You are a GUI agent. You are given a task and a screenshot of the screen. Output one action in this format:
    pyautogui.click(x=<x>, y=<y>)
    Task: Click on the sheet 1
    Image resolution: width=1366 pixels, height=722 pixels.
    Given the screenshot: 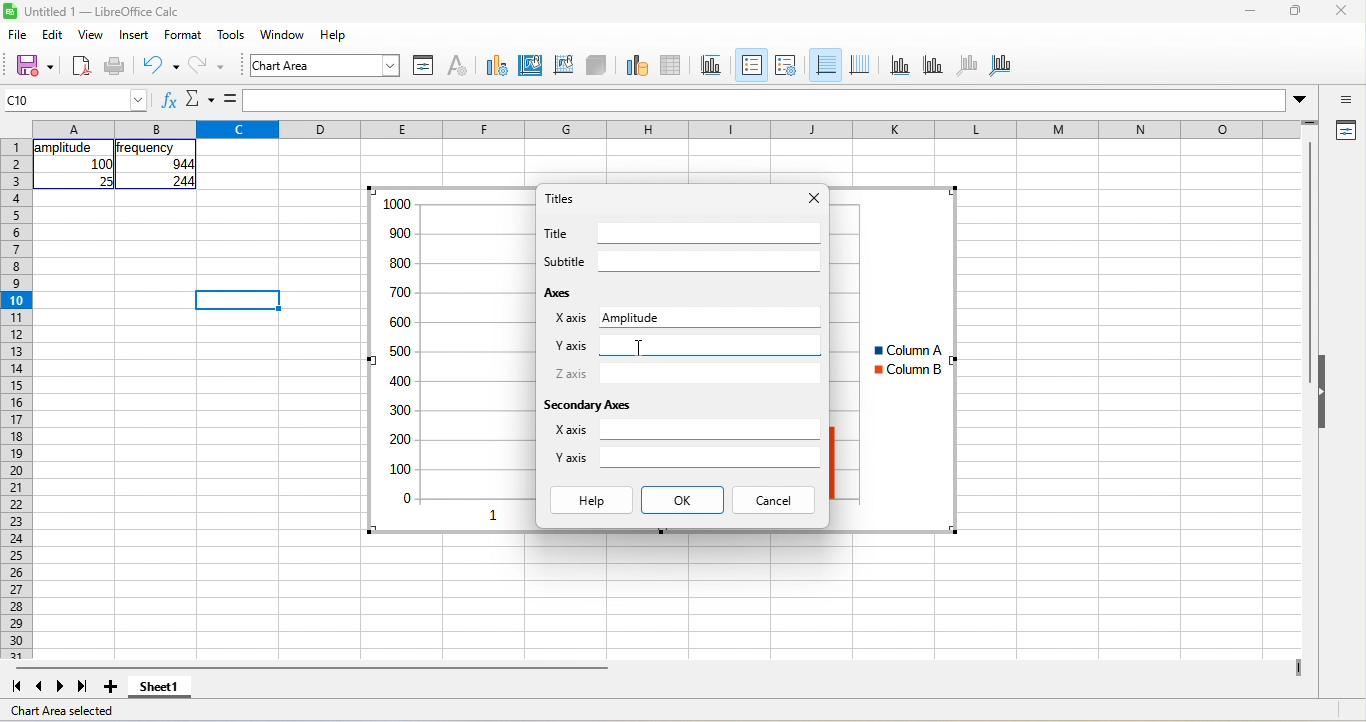 What is the action you would take?
    pyautogui.click(x=160, y=687)
    